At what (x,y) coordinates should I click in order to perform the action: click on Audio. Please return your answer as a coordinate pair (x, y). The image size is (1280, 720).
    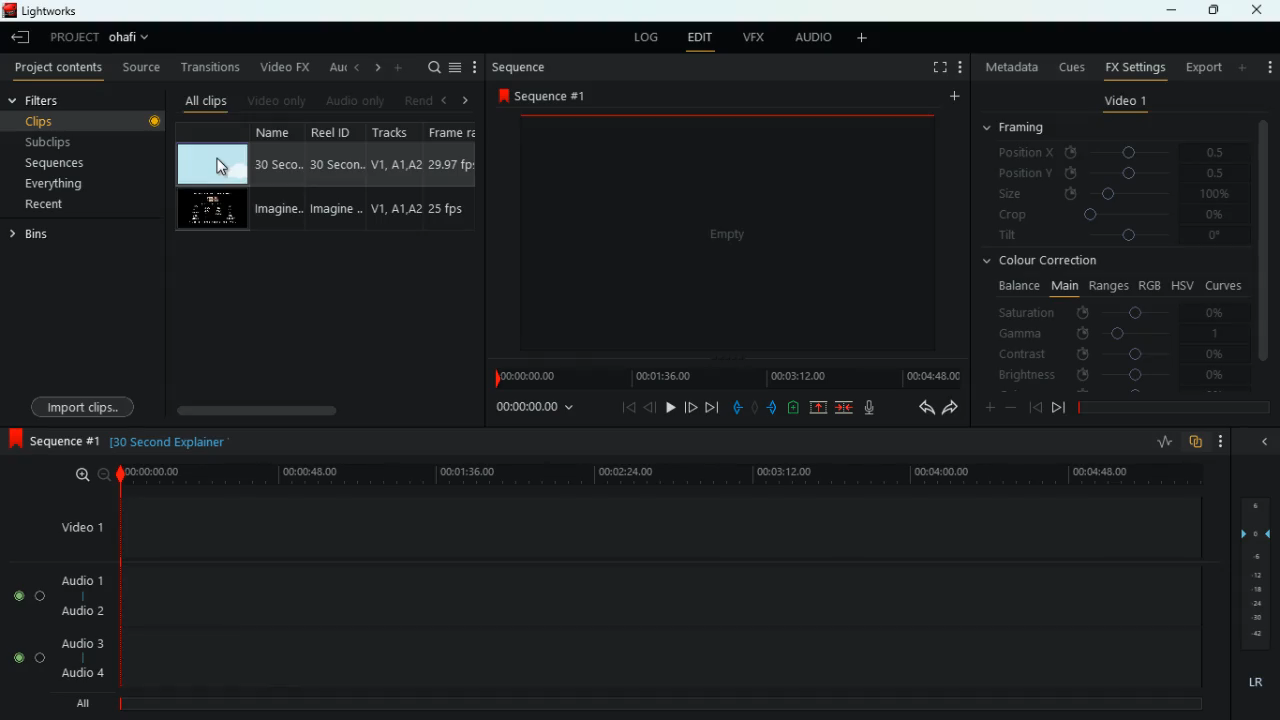
    Looking at the image, I should click on (28, 596).